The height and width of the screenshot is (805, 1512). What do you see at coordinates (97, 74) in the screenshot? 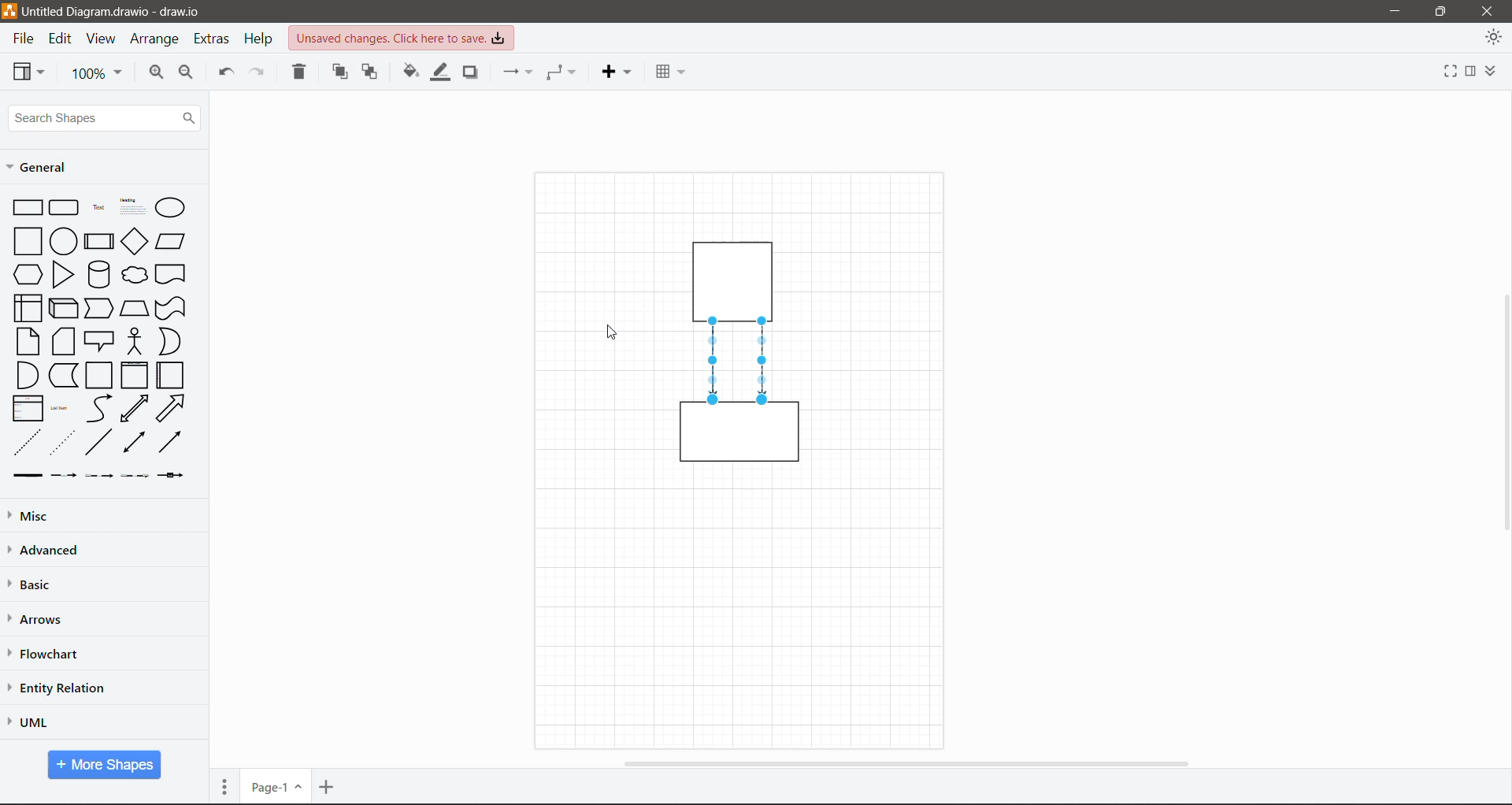
I see `Zoom` at bounding box center [97, 74].